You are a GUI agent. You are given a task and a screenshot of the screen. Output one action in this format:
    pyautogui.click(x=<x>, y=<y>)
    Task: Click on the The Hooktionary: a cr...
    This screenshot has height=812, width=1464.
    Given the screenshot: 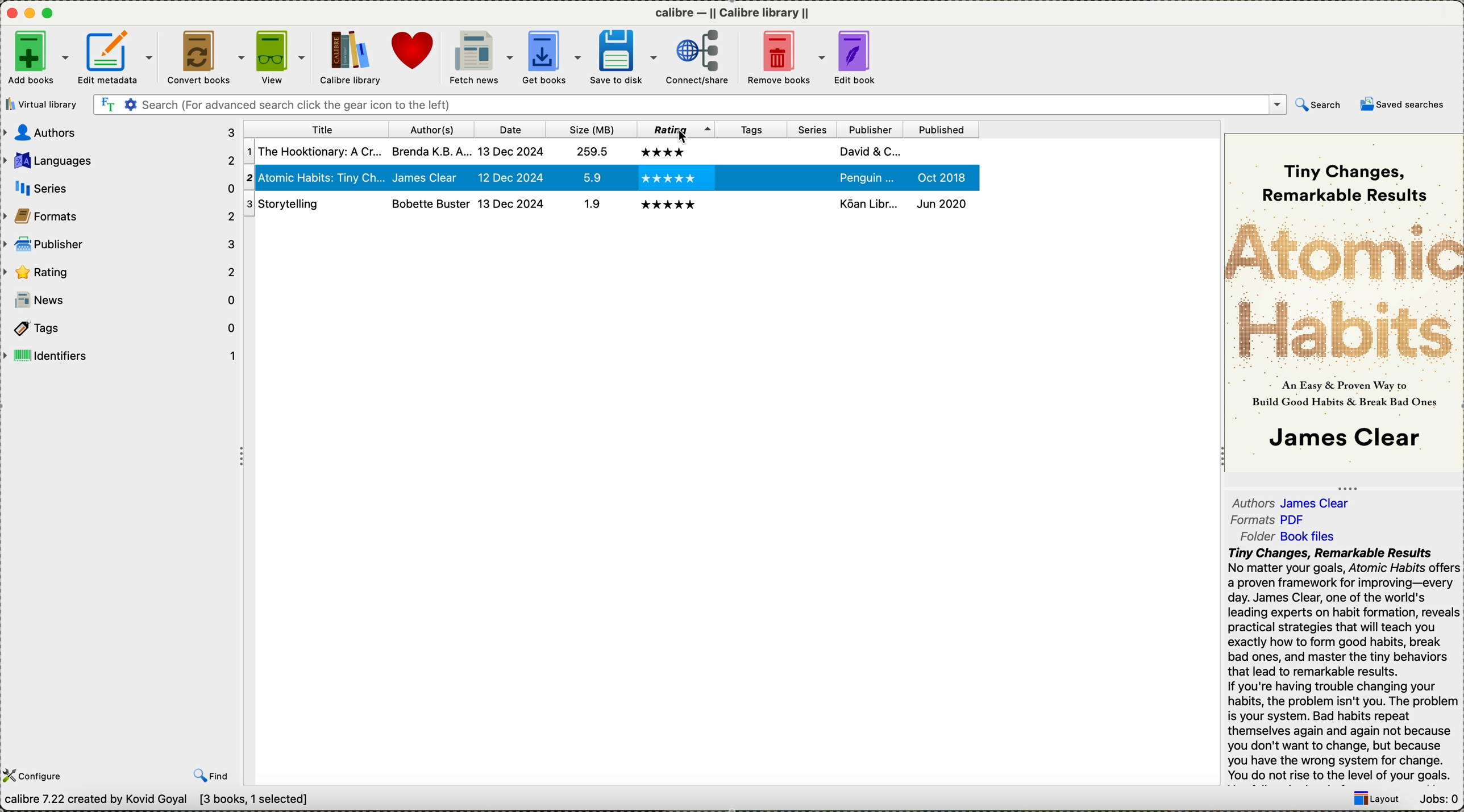 What is the action you would take?
    pyautogui.click(x=313, y=178)
    